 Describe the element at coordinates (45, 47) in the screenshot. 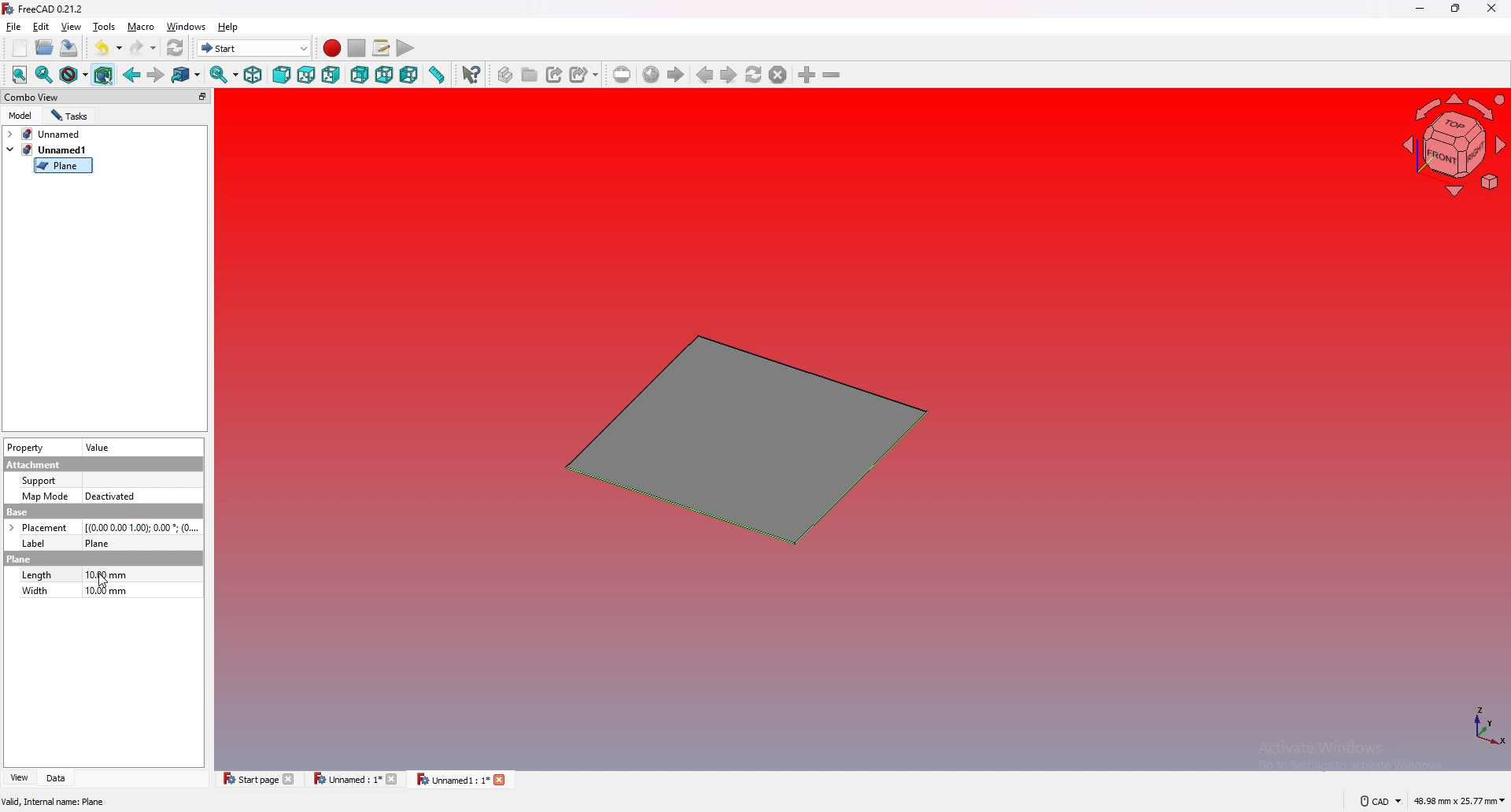

I see `open` at that location.